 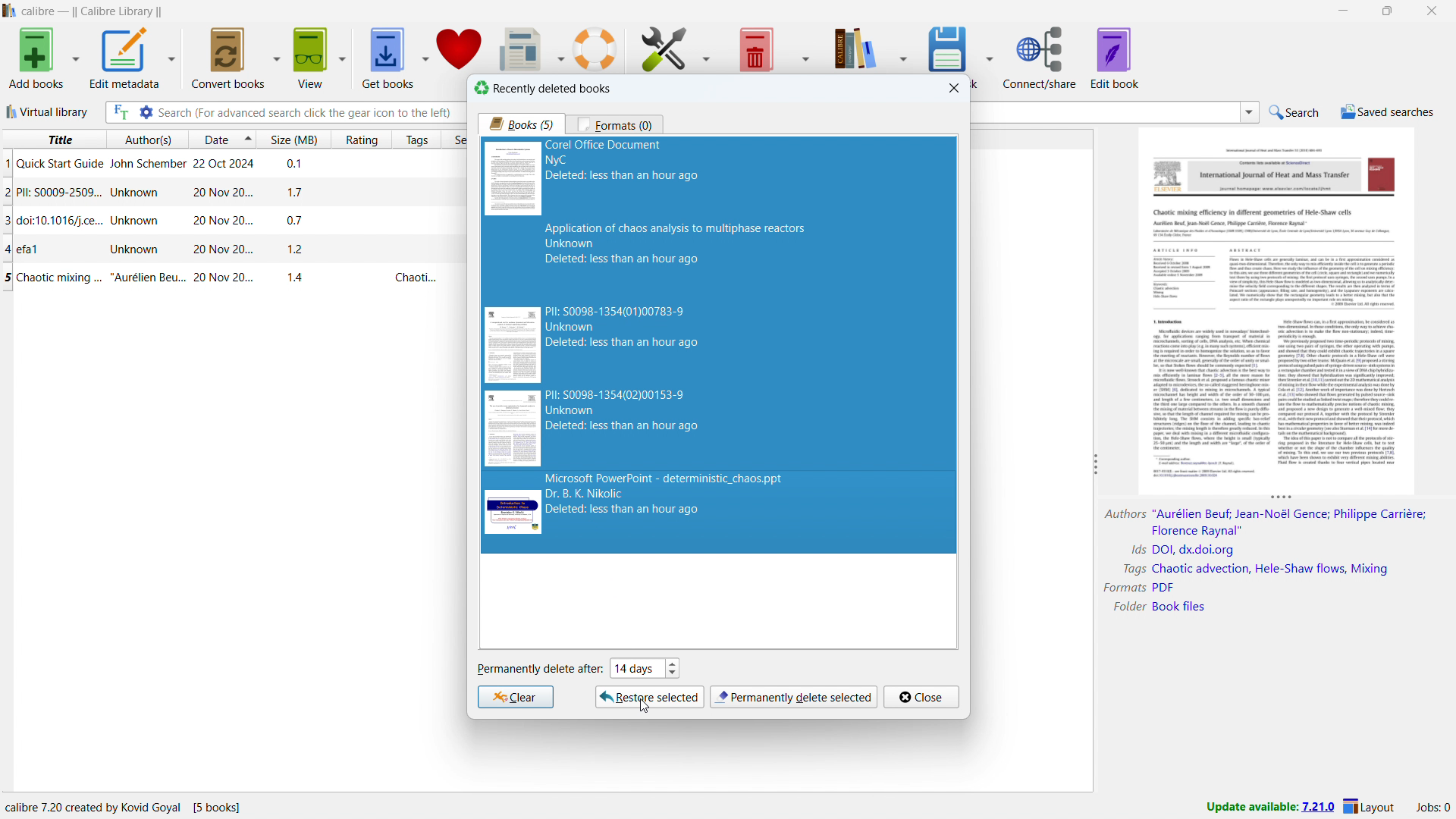 What do you see at coordinates (855, 47) in the screenshot?
I see `calibre library` at bounding box center [855, 47].